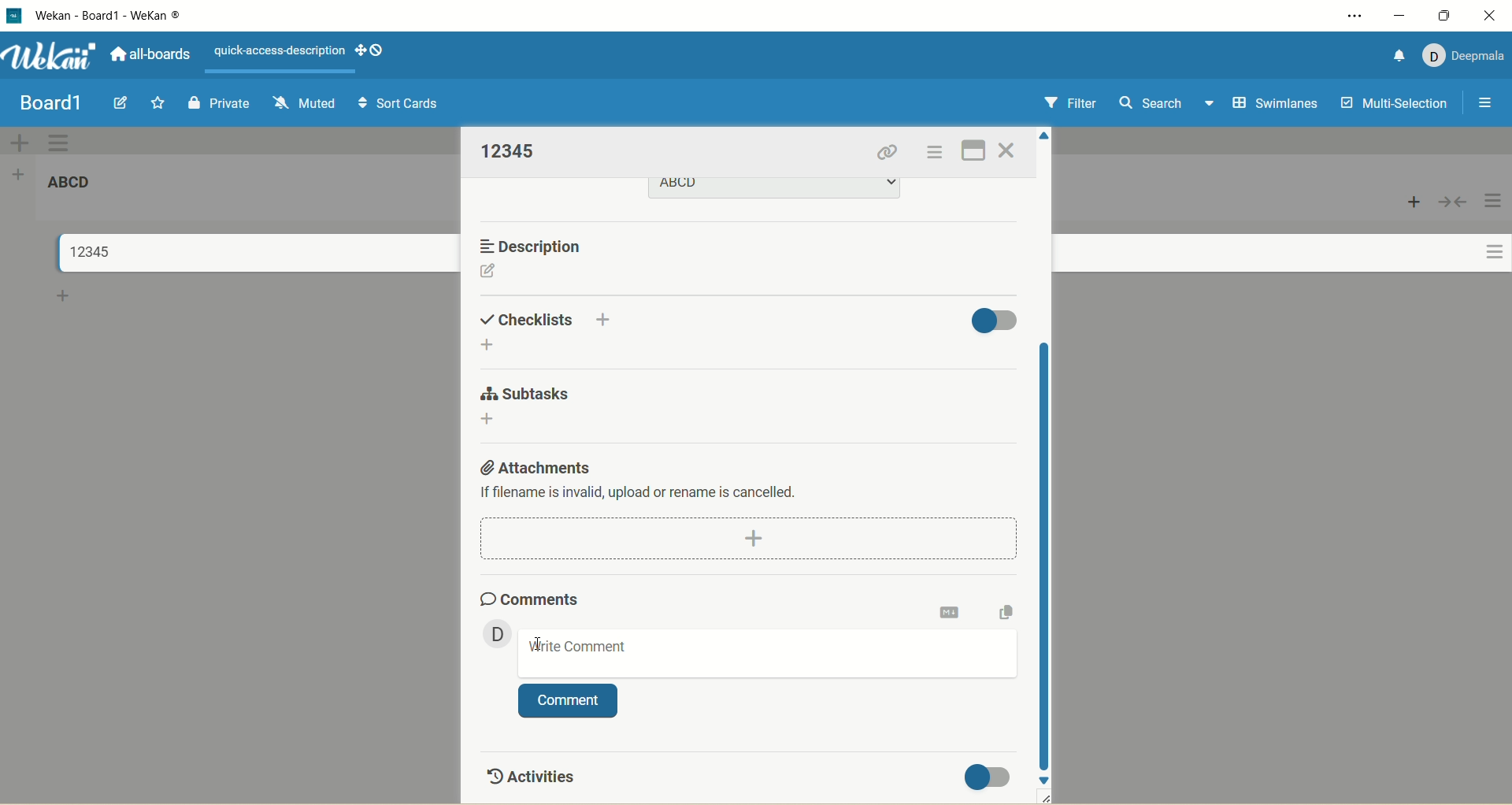 This screenshot has height=805, width=1512. I want to click on list title, so click(77, 187).